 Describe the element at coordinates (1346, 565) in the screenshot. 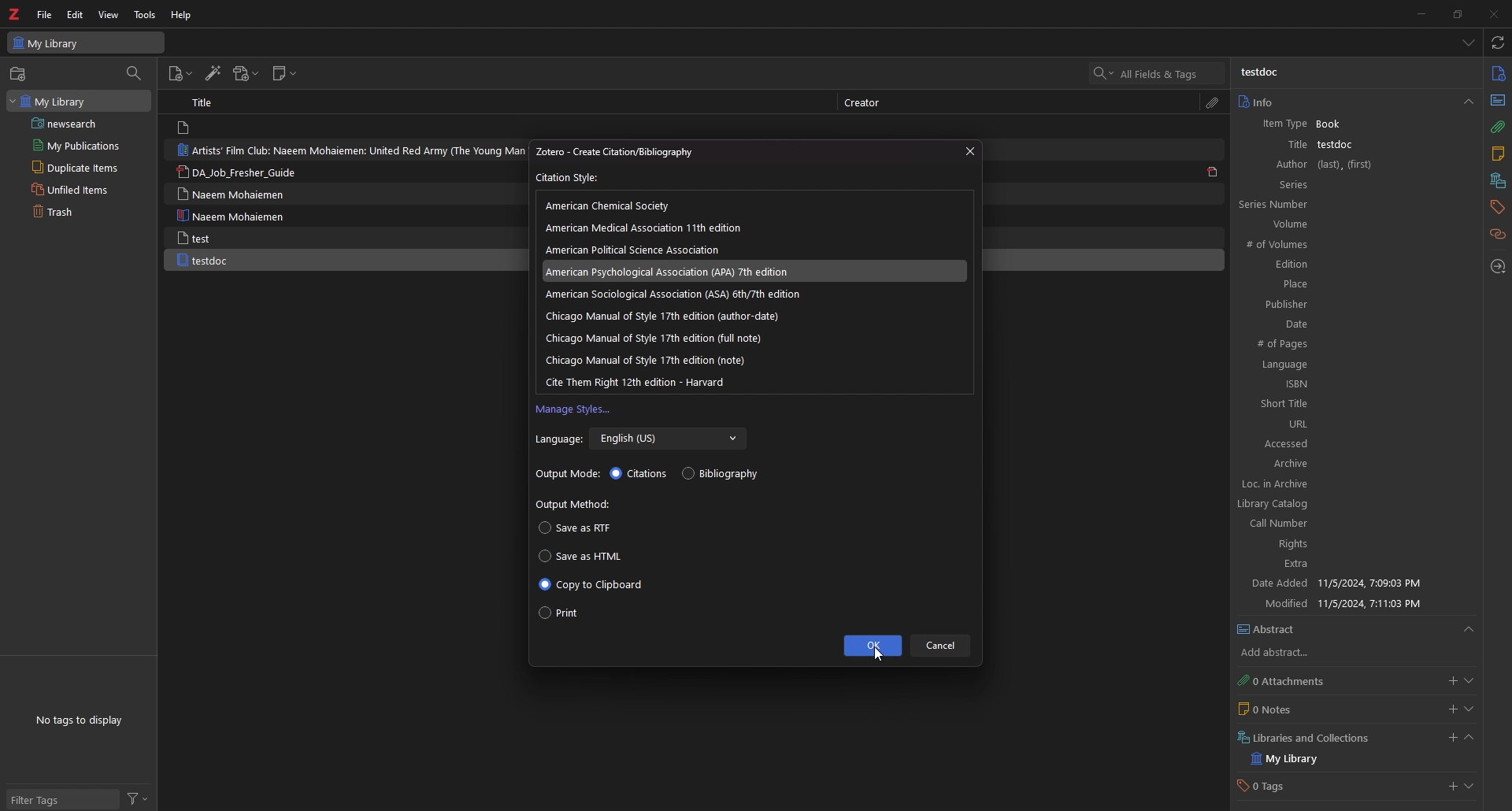

I see `Extra` at that location.